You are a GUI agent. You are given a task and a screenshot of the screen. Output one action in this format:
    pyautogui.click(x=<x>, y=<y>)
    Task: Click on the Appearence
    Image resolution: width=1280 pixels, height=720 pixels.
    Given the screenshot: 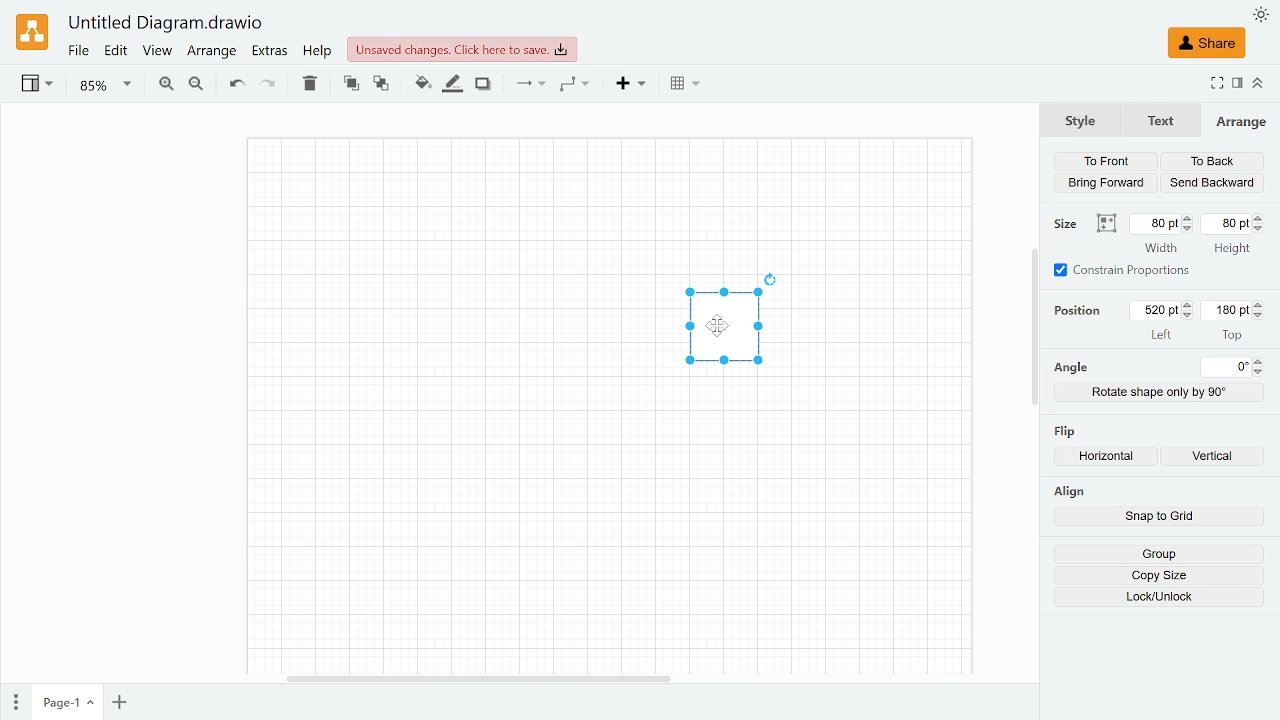 What is the action you would take?
    pyautogui.click(x=1261, y=15)
    